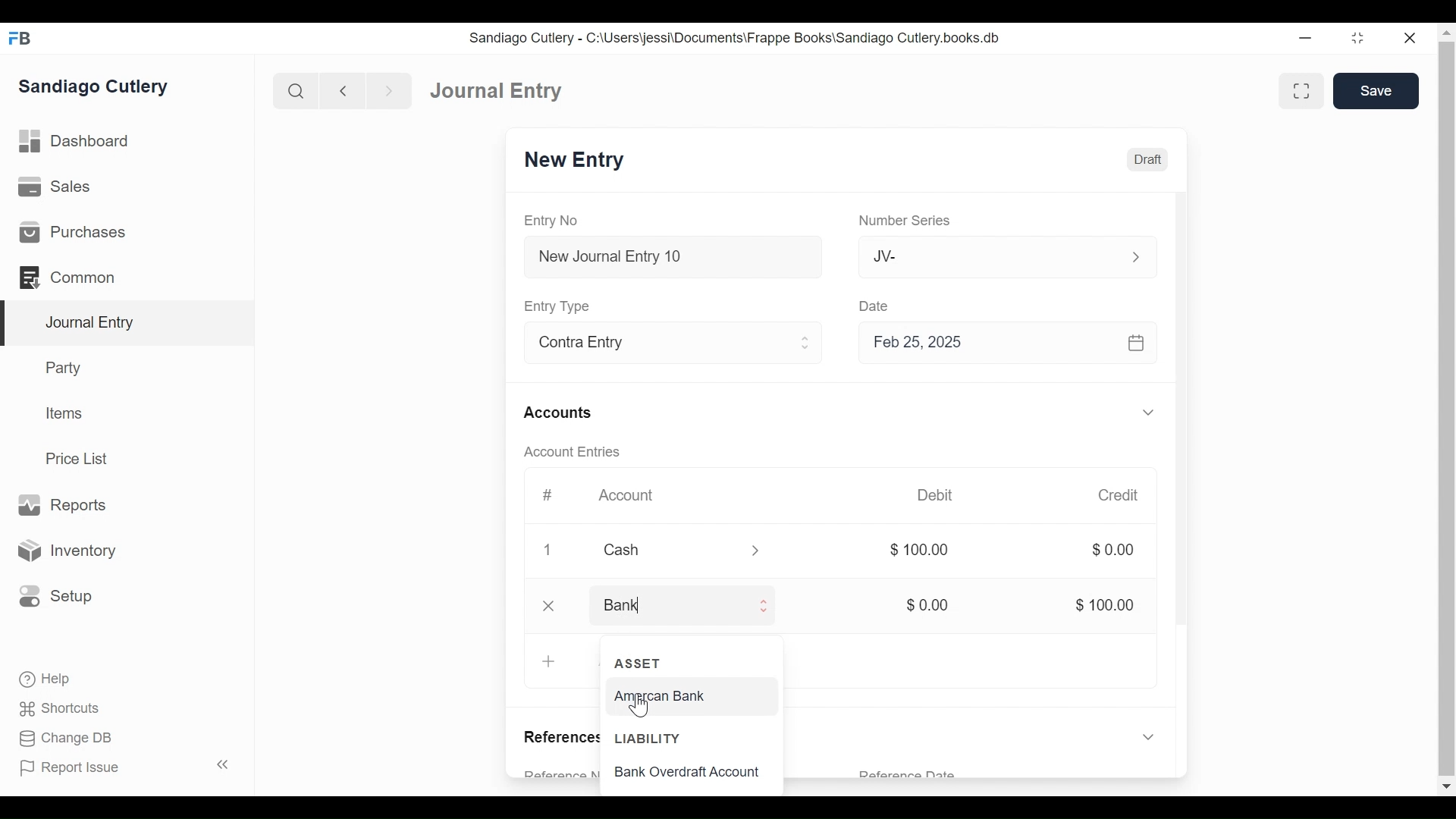 The height and width of the screenshot is (819, 1456). Describe the element at coordinates (548, 551) in the screenshot. I see `1` at that location.